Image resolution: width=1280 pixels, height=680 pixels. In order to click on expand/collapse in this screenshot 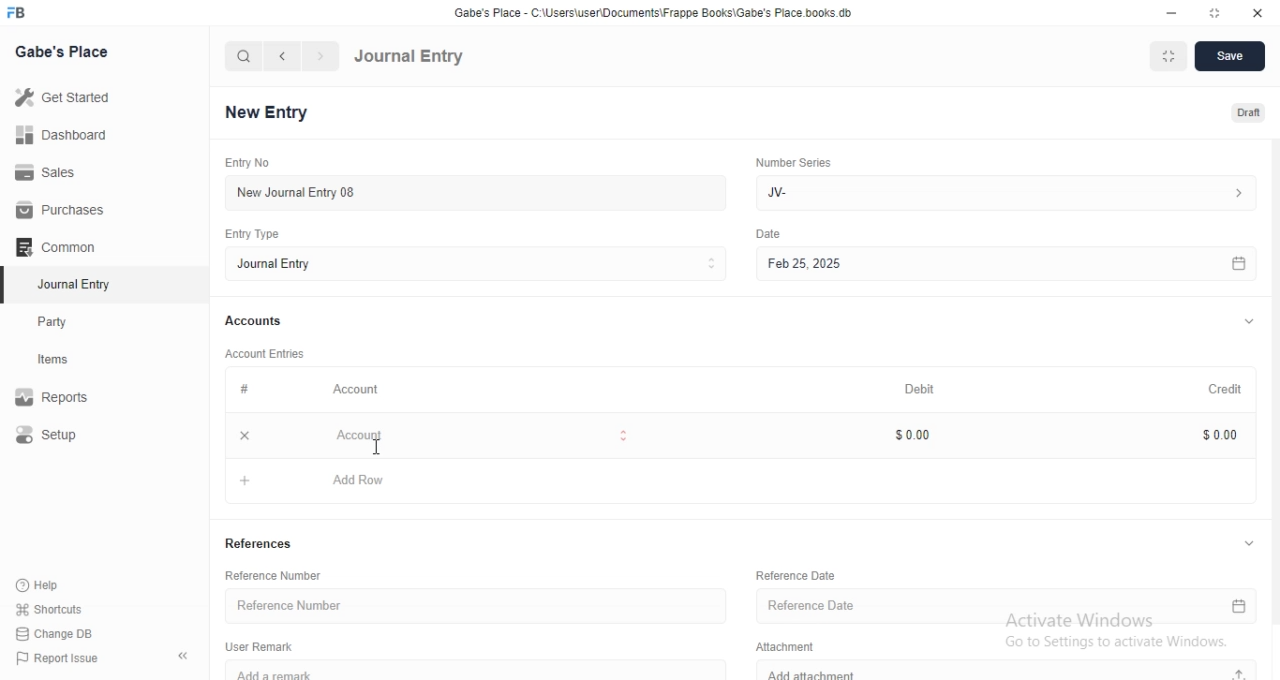, I will do `click(1248, 543)`.